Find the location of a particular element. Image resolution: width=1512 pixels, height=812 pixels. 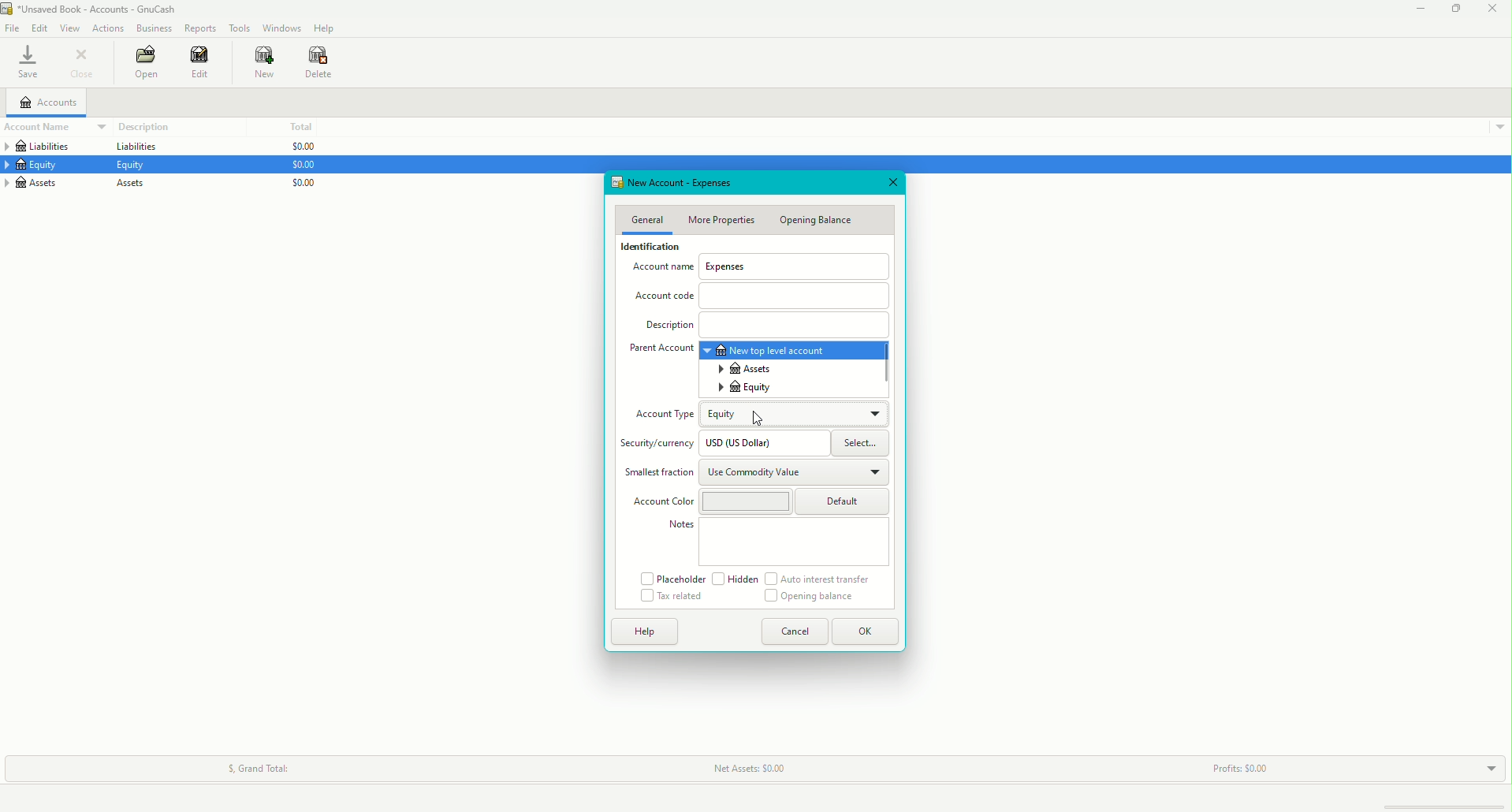

Description is located at coordinates (764, 324).